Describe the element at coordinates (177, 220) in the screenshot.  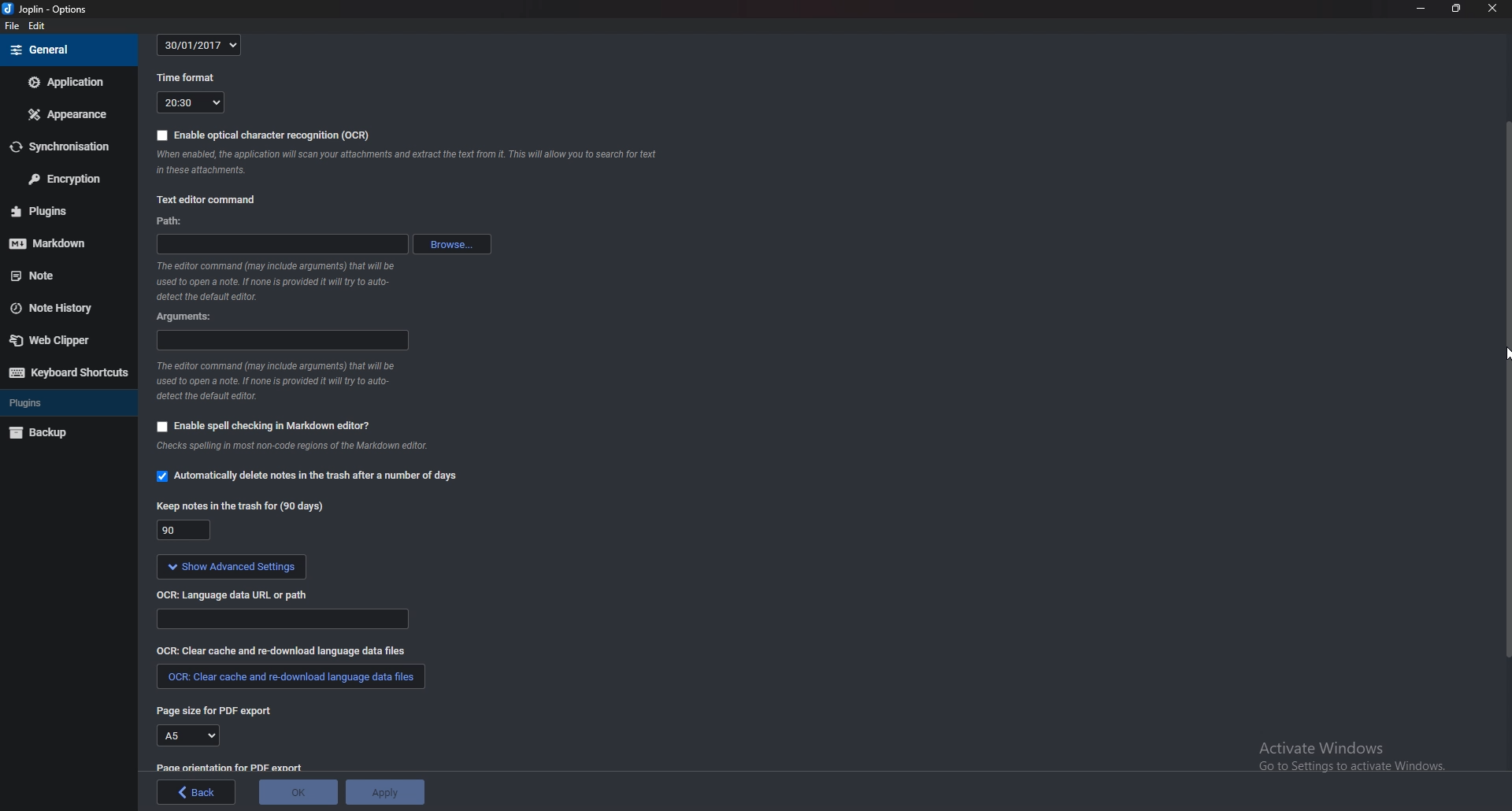
I see `path` at that location.